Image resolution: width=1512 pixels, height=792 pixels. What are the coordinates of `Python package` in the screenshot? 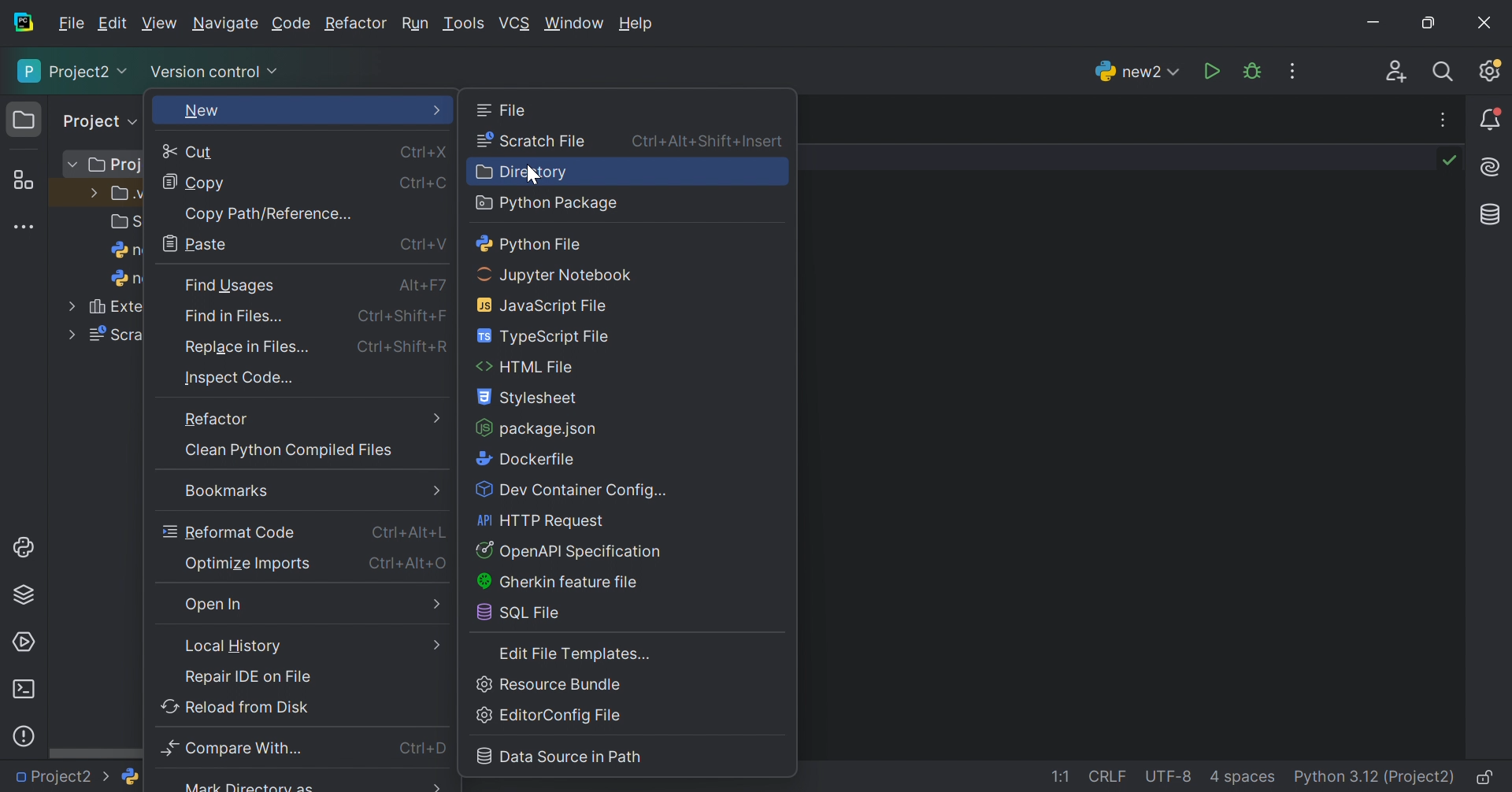 It's located at (550, 204).